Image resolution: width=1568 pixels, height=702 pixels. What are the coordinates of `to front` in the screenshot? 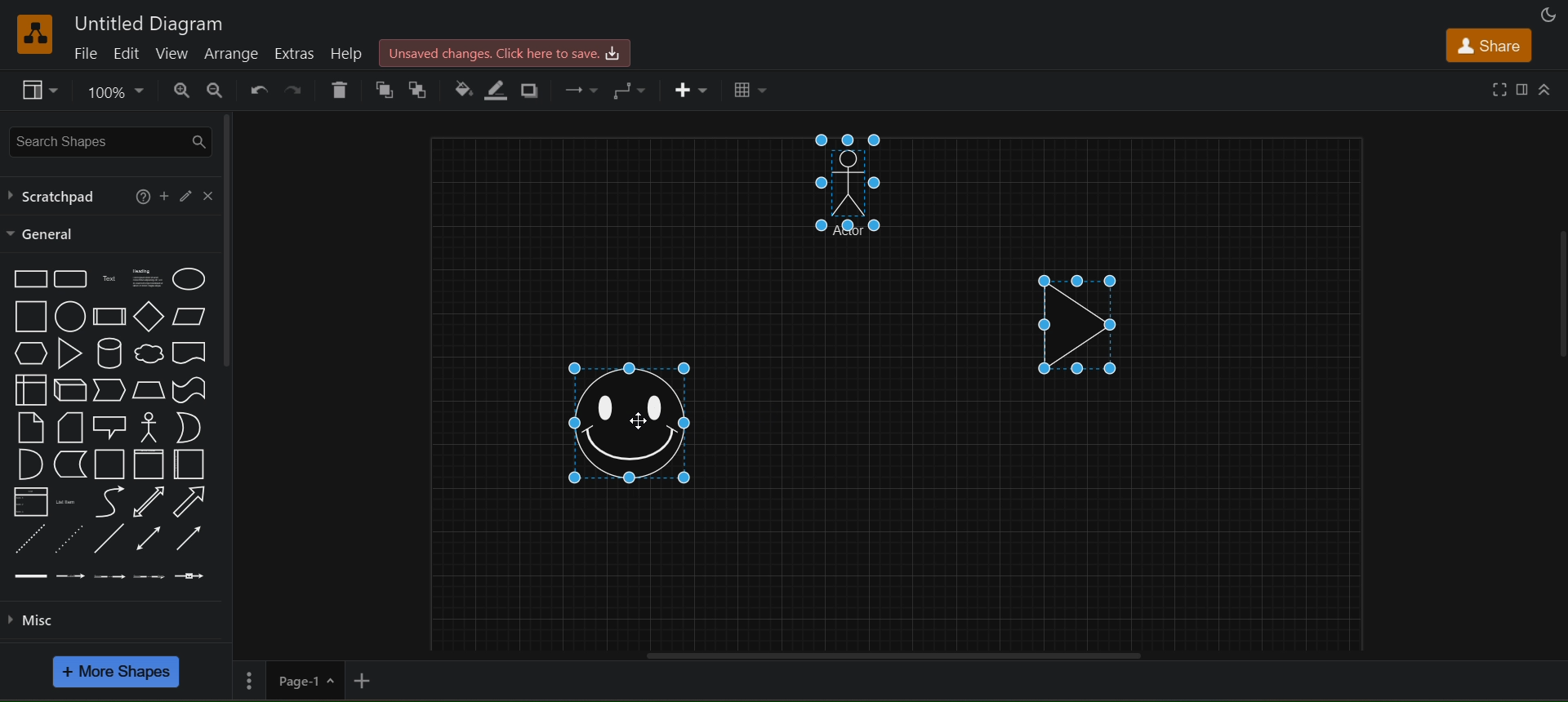 It's located at (384, 87).